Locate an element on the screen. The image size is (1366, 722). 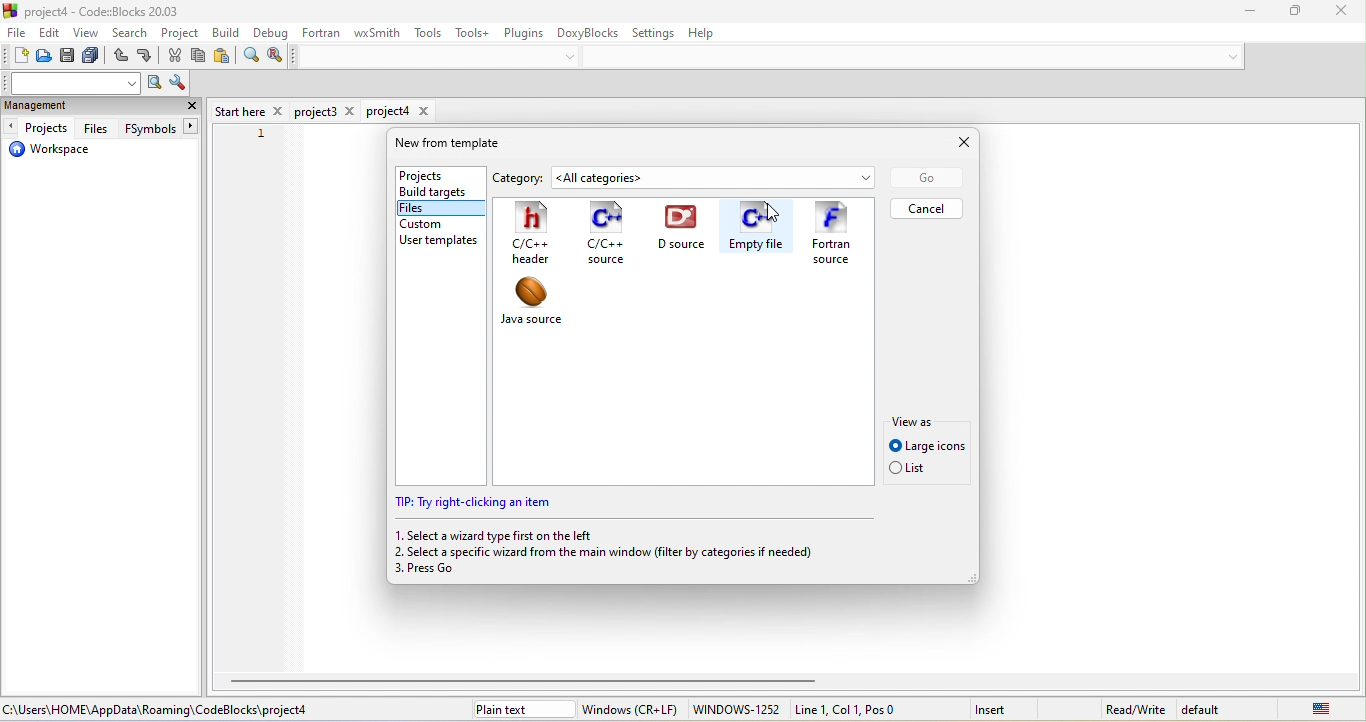
projects is located at coordinates (434, 173).